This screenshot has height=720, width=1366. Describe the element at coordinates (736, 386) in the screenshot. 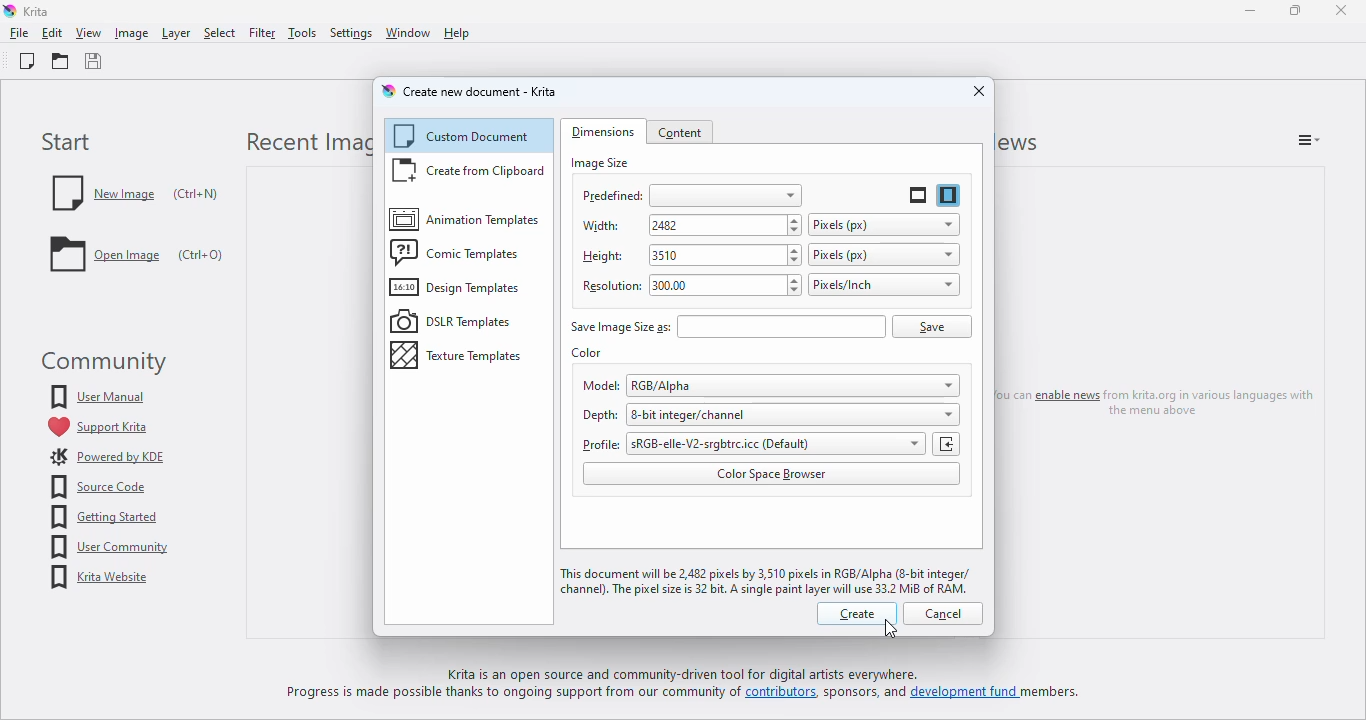

I see `model: RGB/Alpha` at that location.